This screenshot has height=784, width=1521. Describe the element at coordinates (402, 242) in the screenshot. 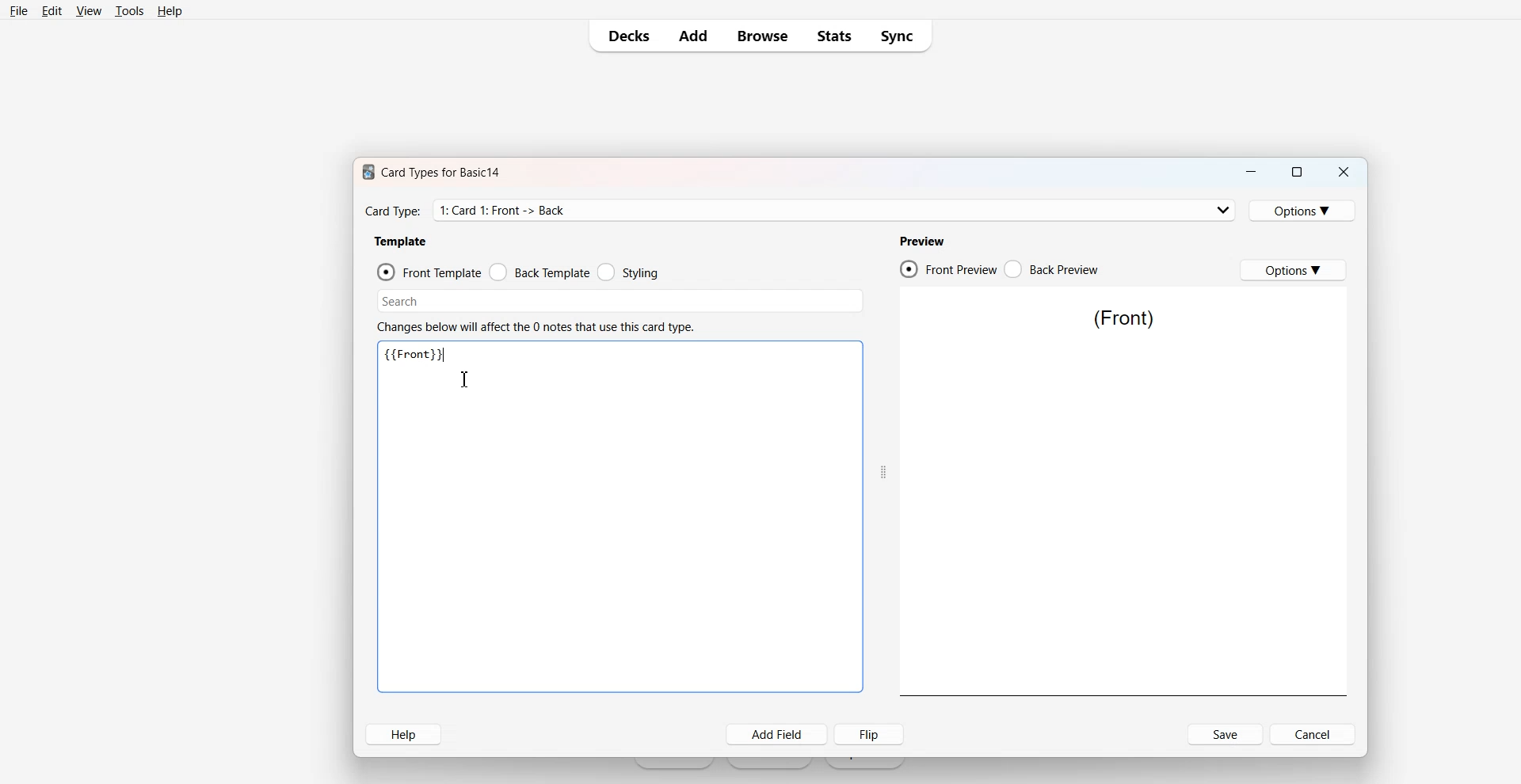

I see `Template` at that location.